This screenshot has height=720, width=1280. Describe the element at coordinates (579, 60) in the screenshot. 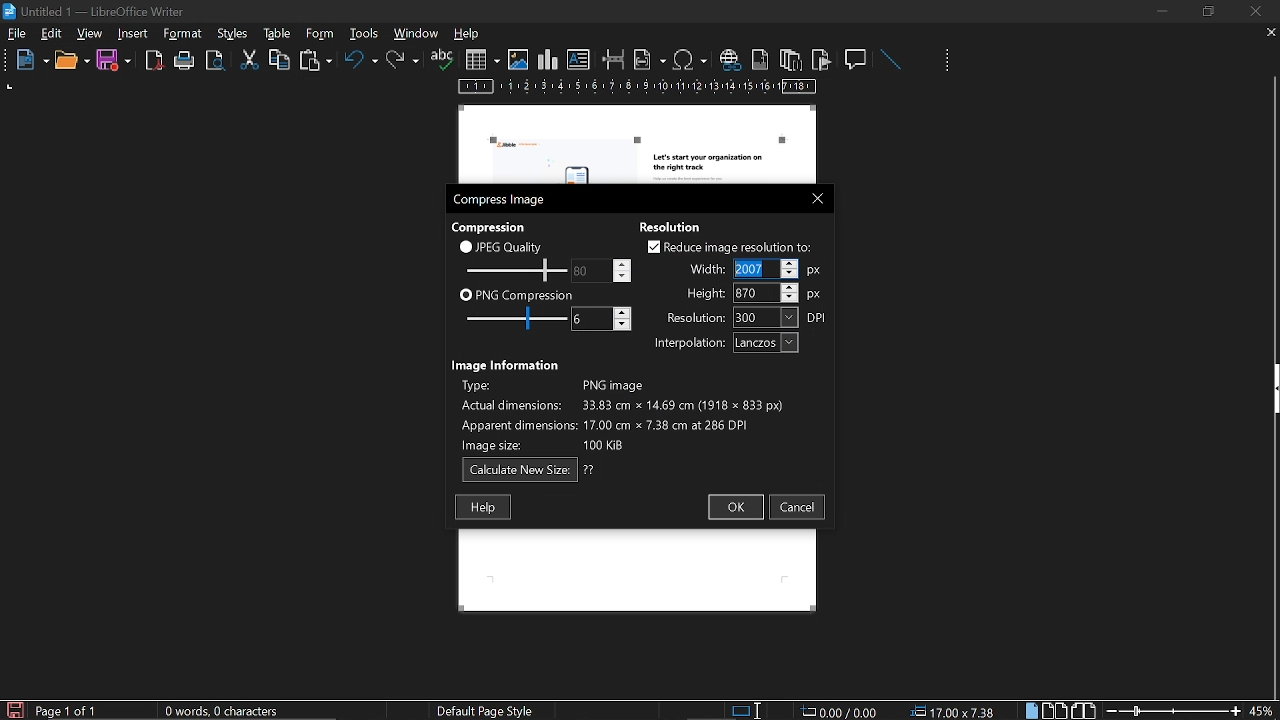

I see `insert text` at that location.